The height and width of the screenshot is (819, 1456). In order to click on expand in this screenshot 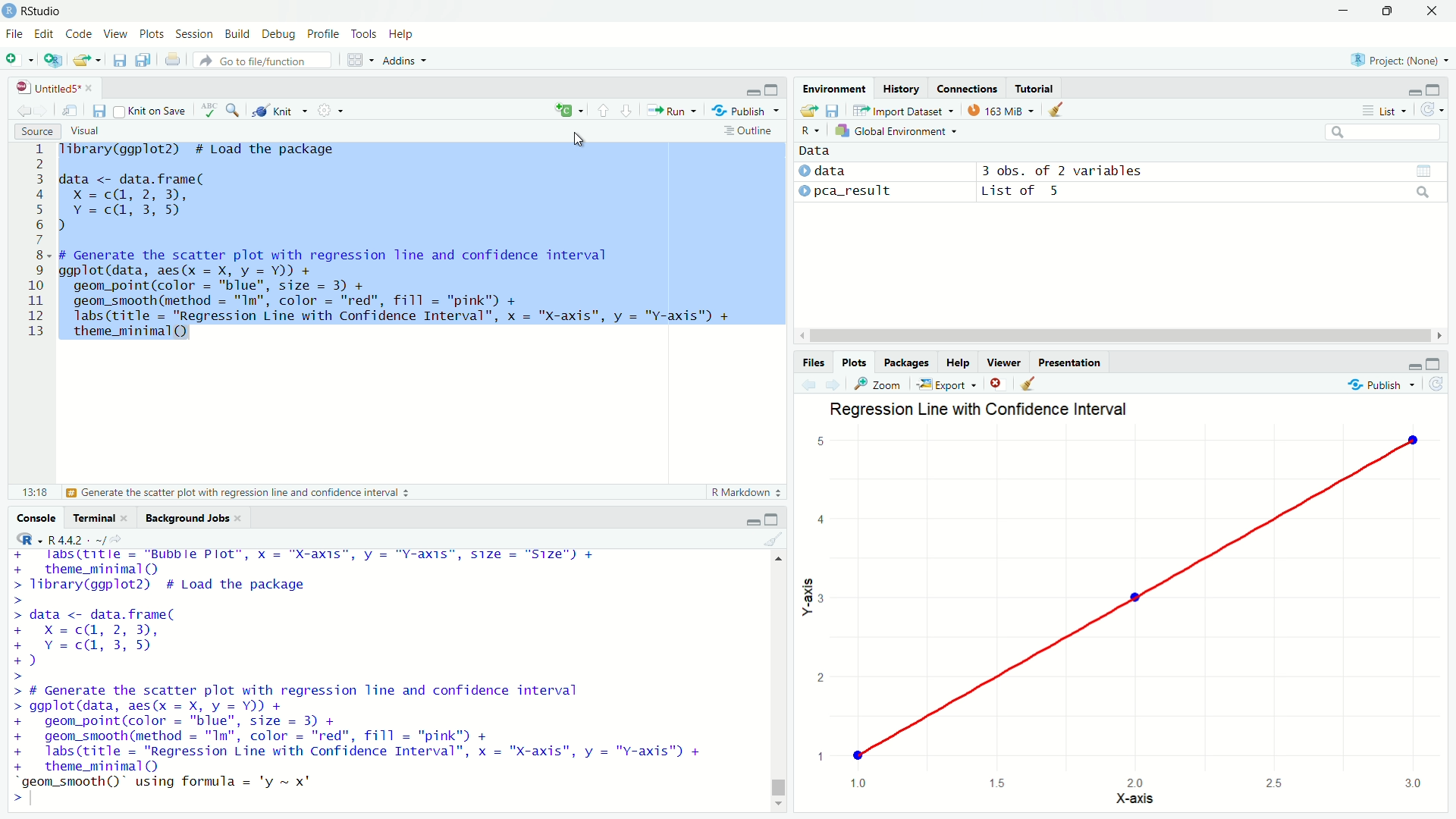, I will do `click(770, 518)`.